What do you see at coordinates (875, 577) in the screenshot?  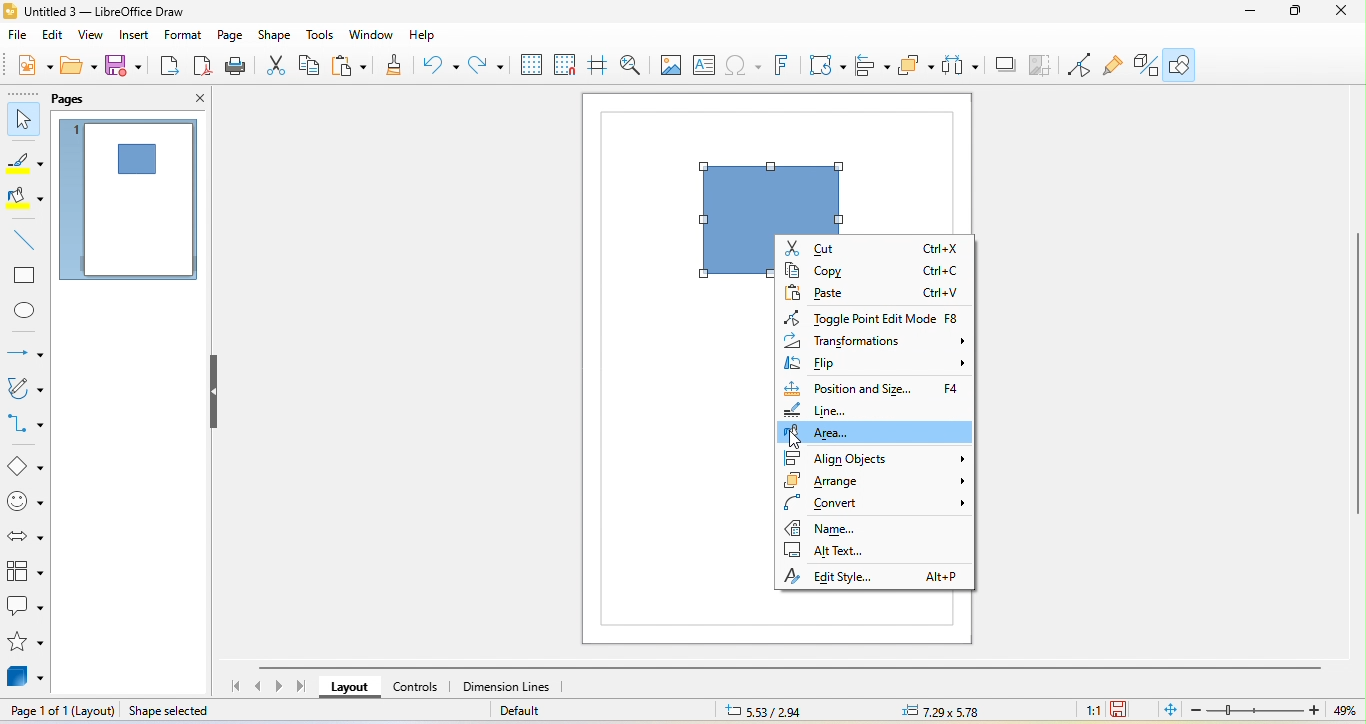 I see `edit style` at bounding box center [875, 577].